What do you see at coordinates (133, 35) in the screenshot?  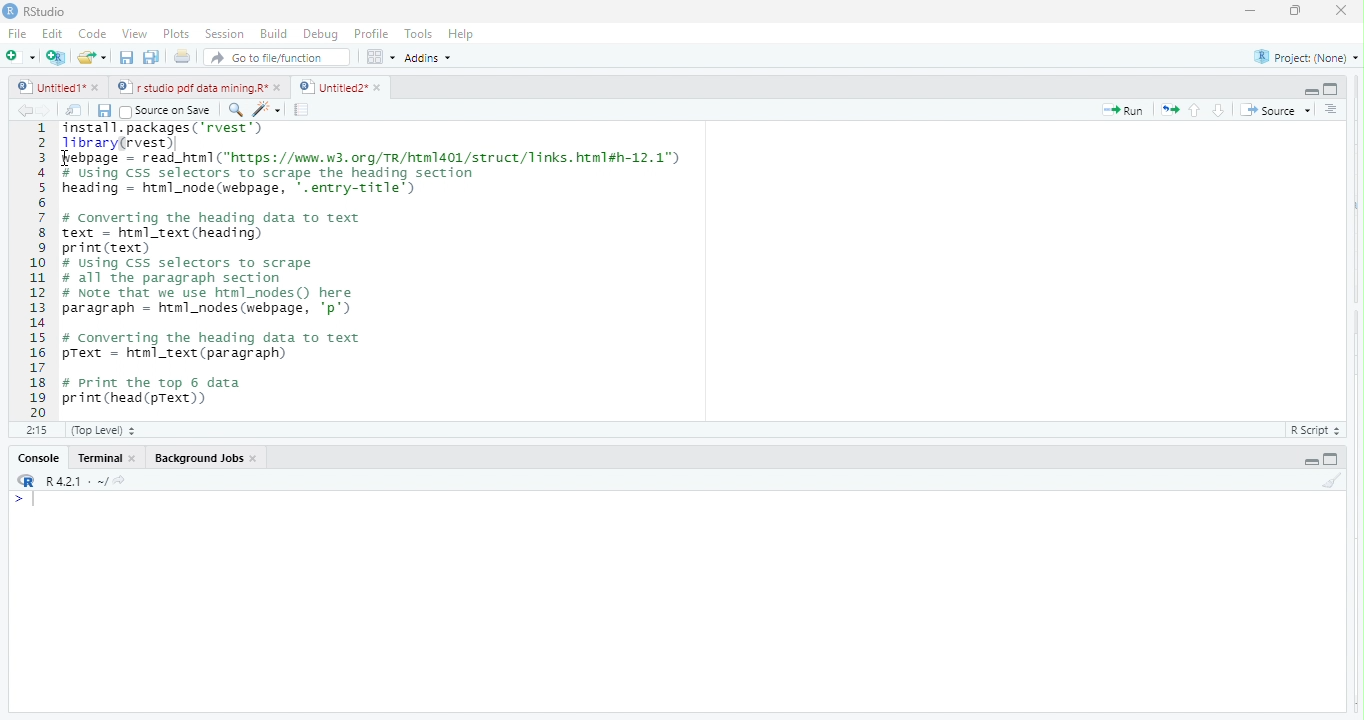 I see `View` at bounding box center [133, 35].